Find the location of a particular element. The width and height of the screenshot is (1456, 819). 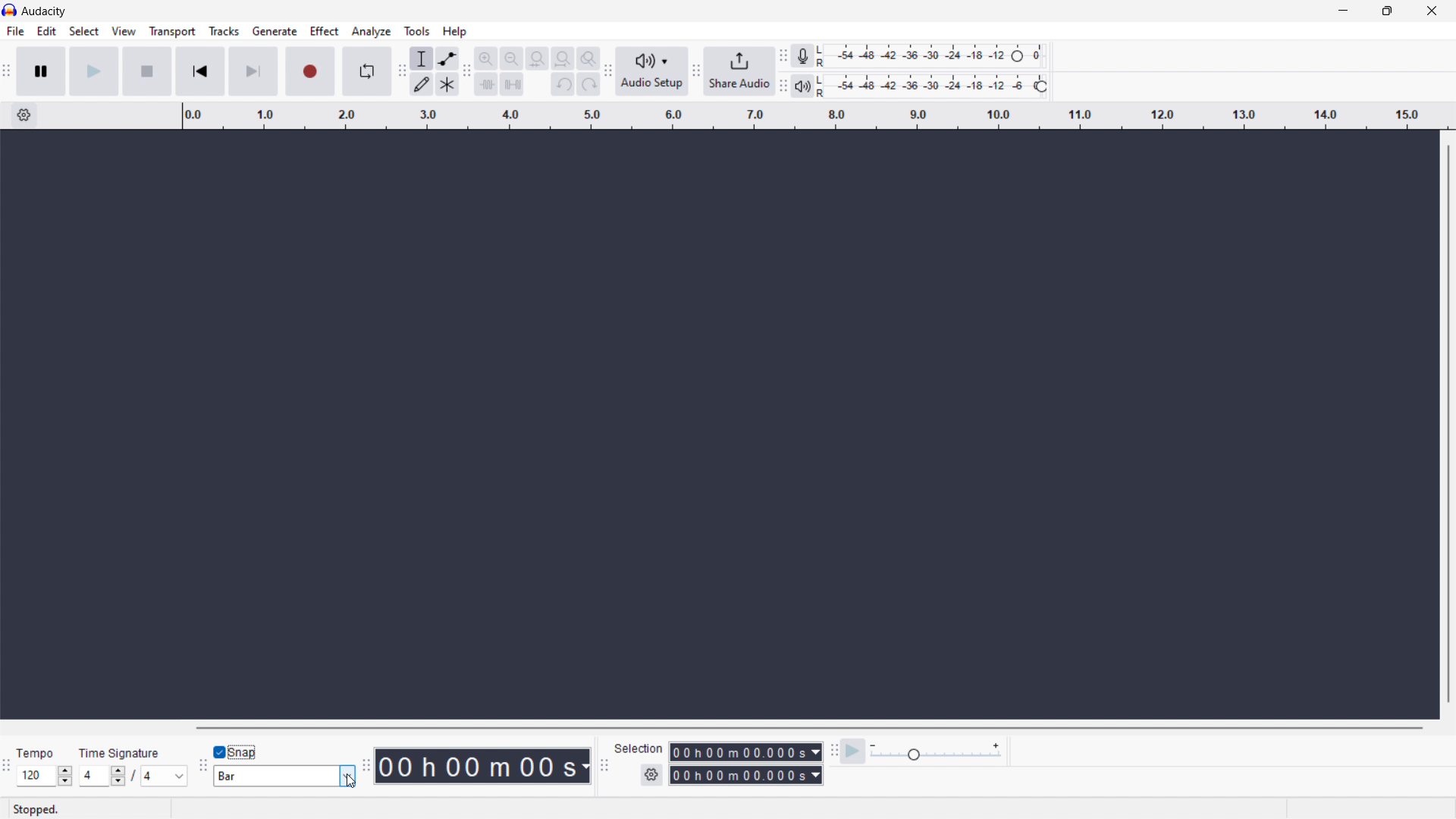

undo is located at coordinates (563, 83).